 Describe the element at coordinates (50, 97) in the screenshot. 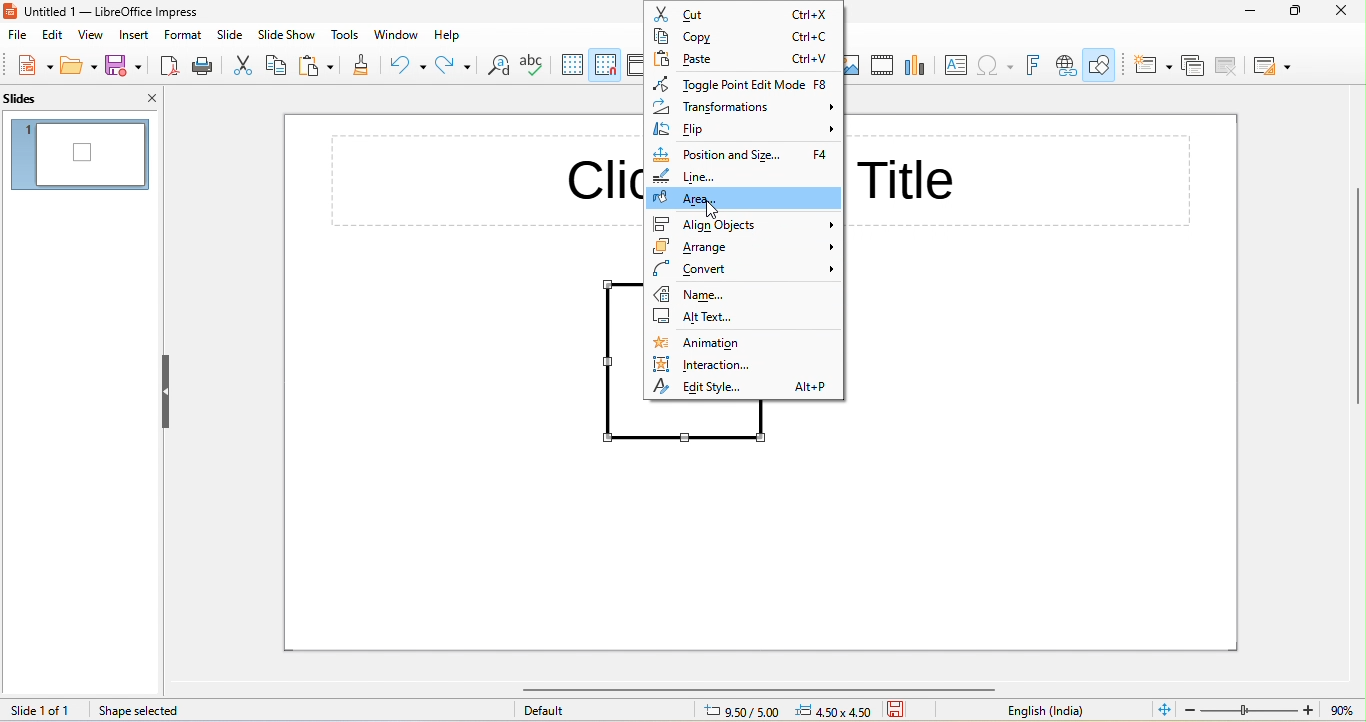

I see `slides` at that location.